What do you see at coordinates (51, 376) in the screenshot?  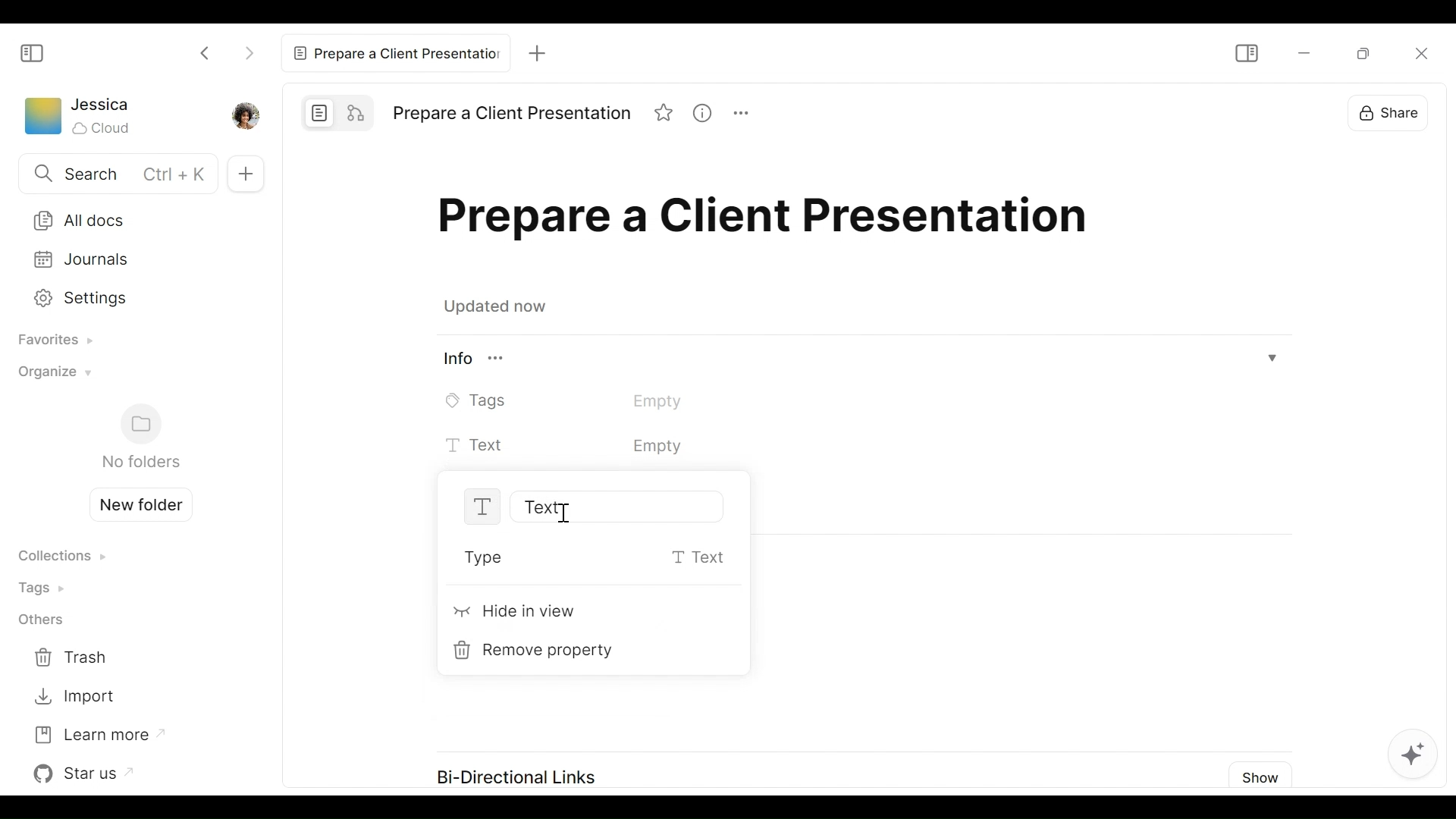 I see `Organize` at bounding box center [51, 376].